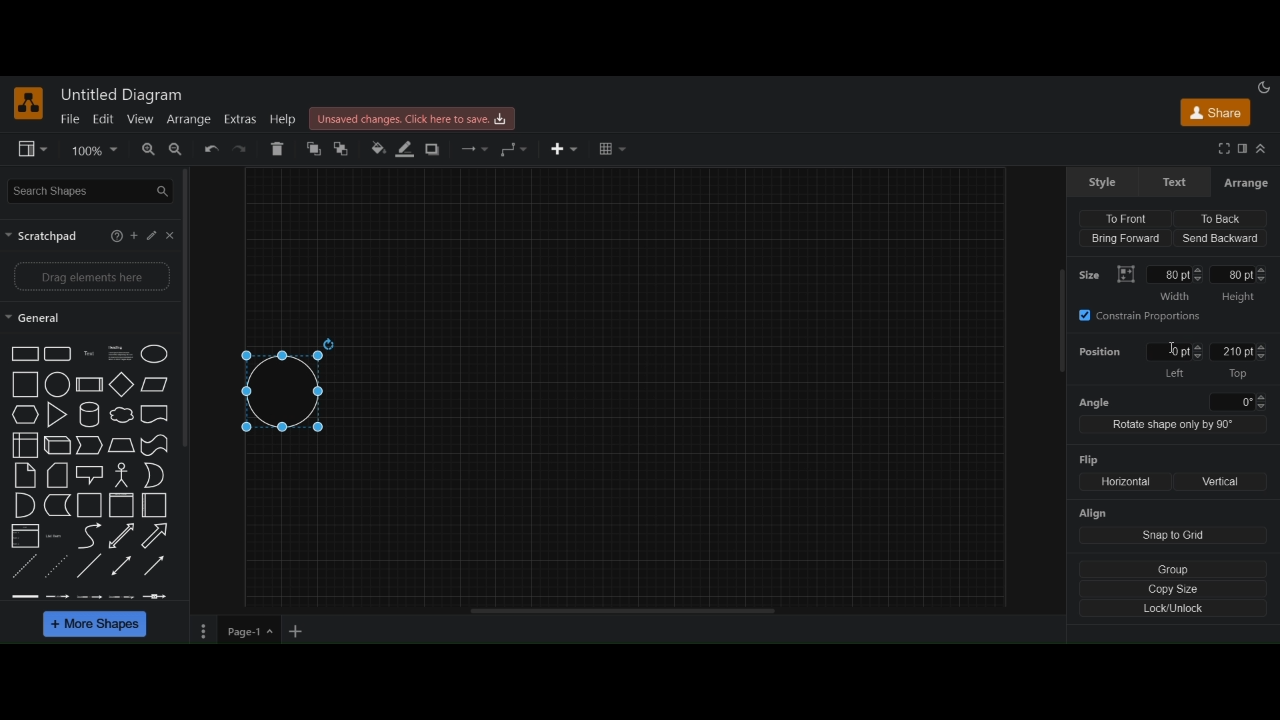  I want to click on general, so click(34, 320).